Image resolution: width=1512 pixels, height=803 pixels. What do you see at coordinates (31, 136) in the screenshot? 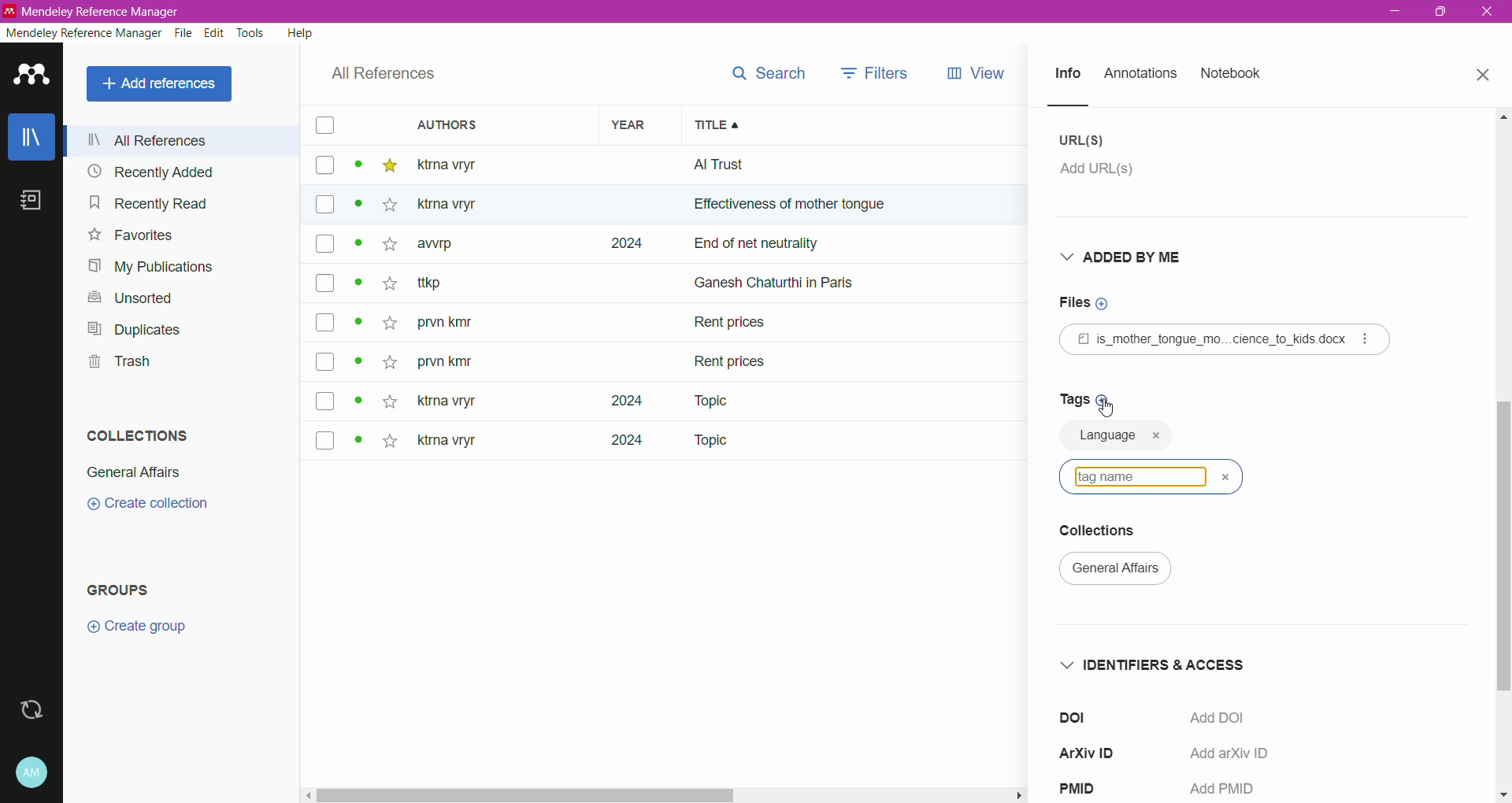
I see `Library` at bounding box center [31, 136].